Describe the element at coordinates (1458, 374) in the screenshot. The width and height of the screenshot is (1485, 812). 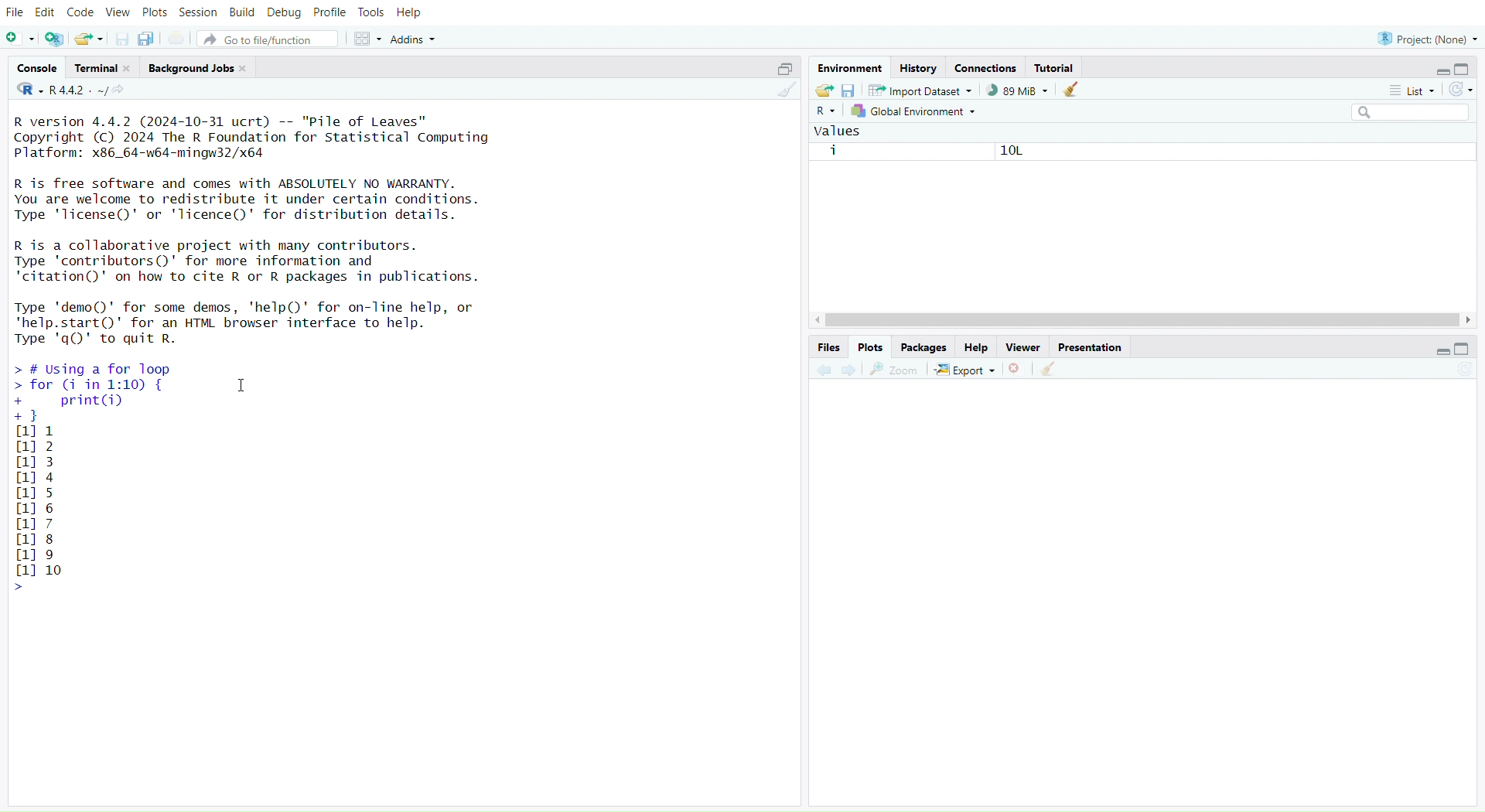
I see `refresh current plot` at that location.